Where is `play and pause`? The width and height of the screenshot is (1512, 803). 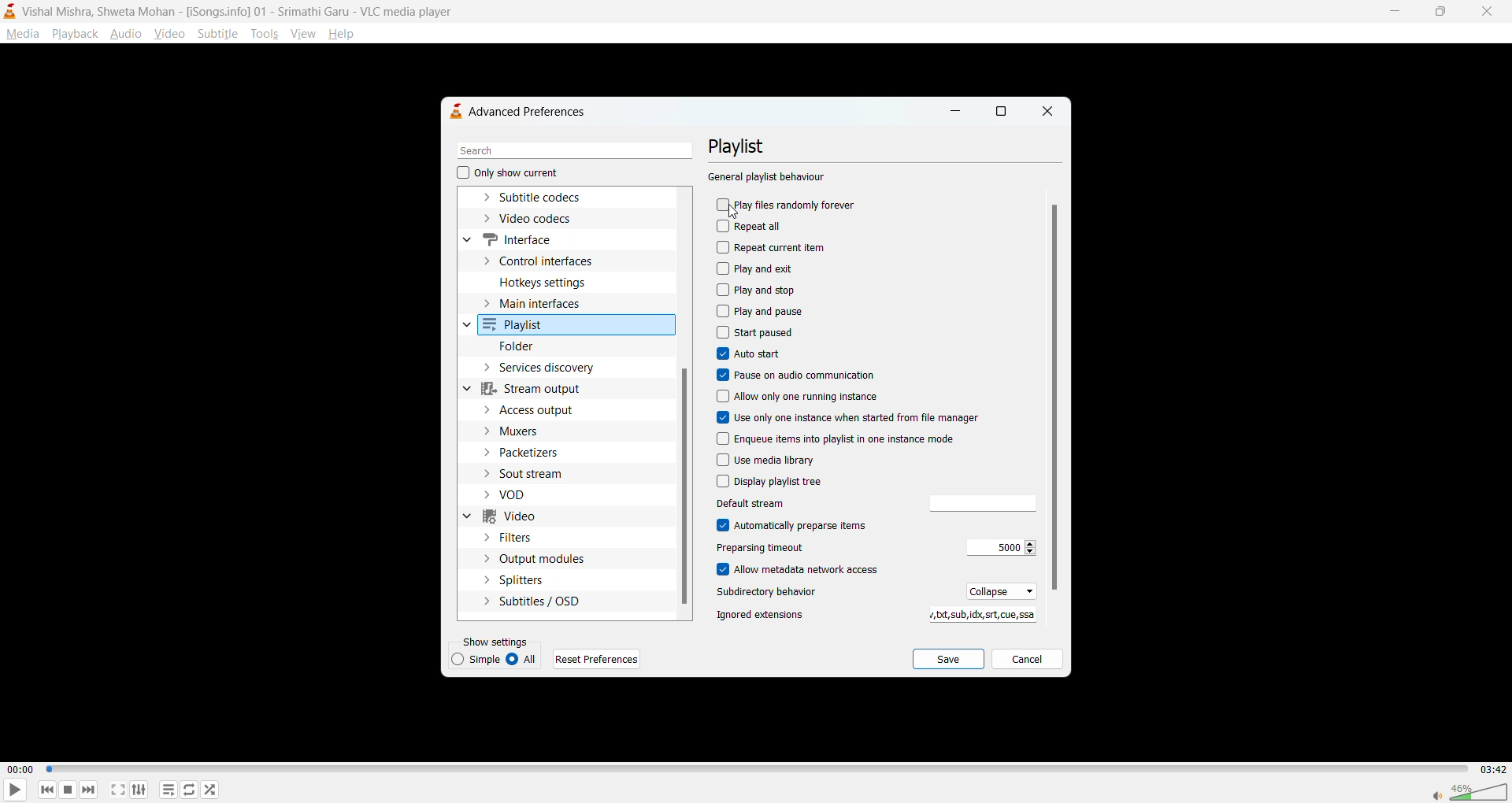 play and pause is located at coordinates (762, 310).